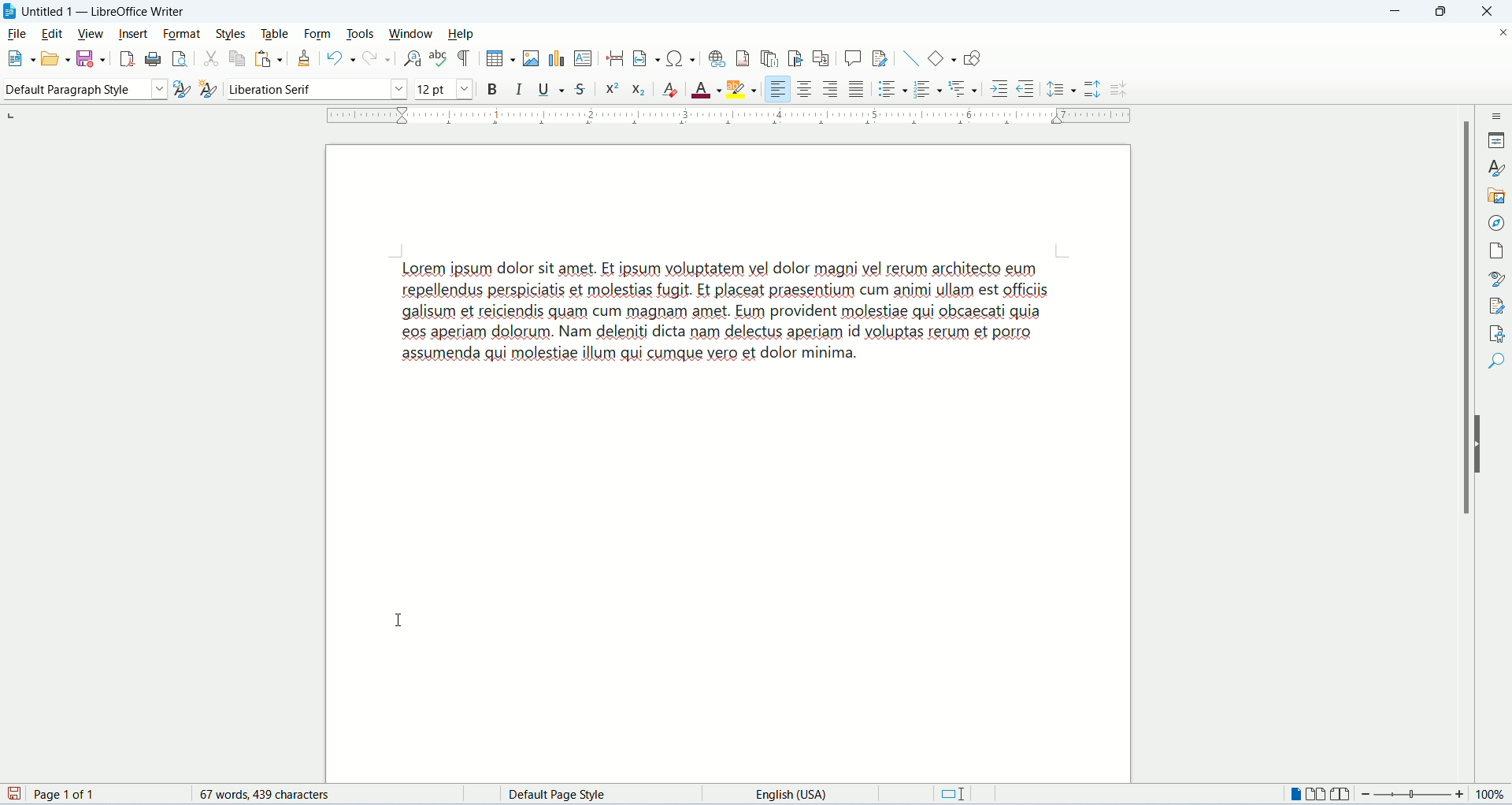 This screenshot has width=1512, height=805. I want to click on logo, so click(9, 12).